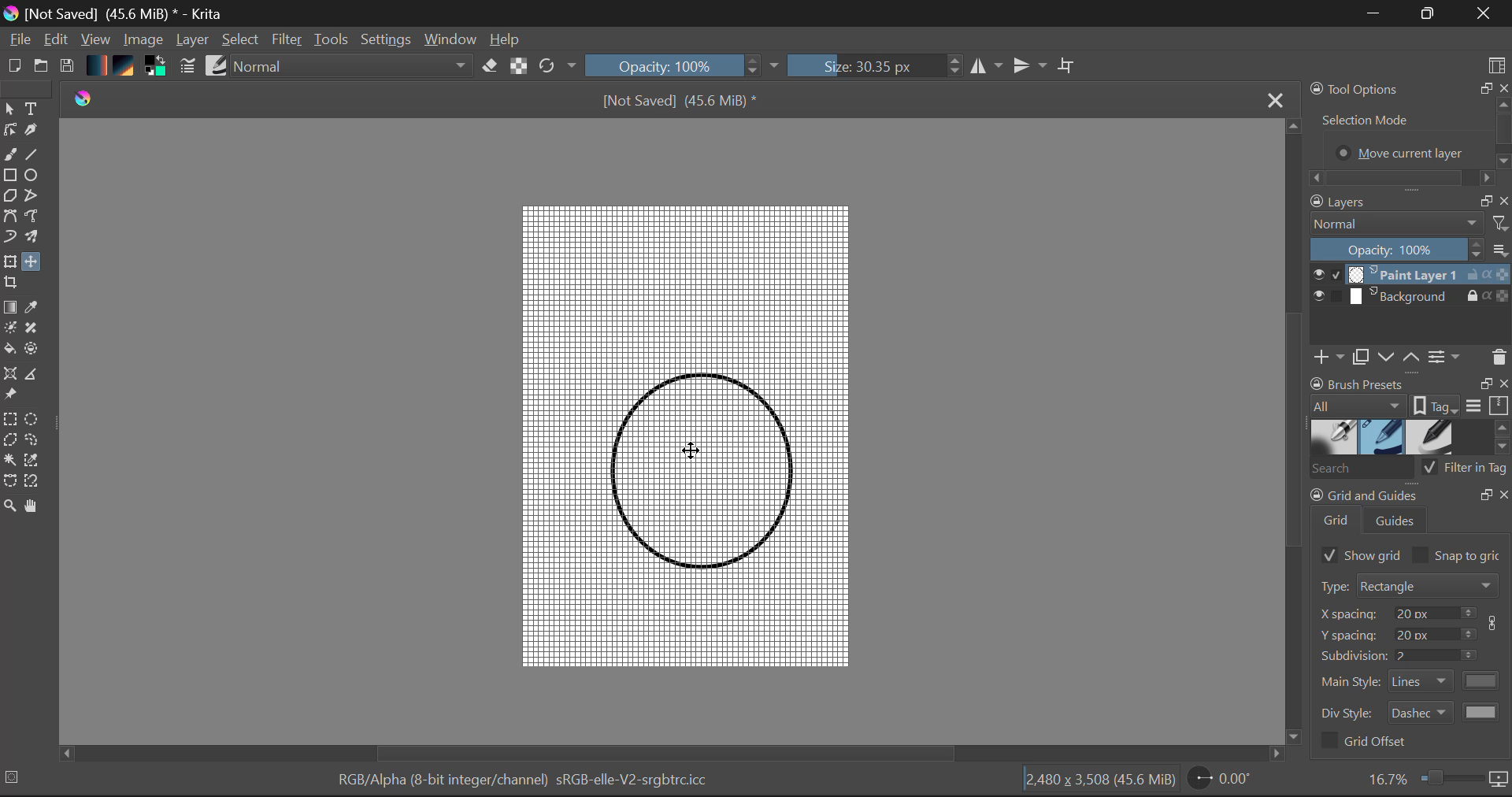 The image size is (1512, 797). I want to click on Enclose and Fill, so click(36, 352).